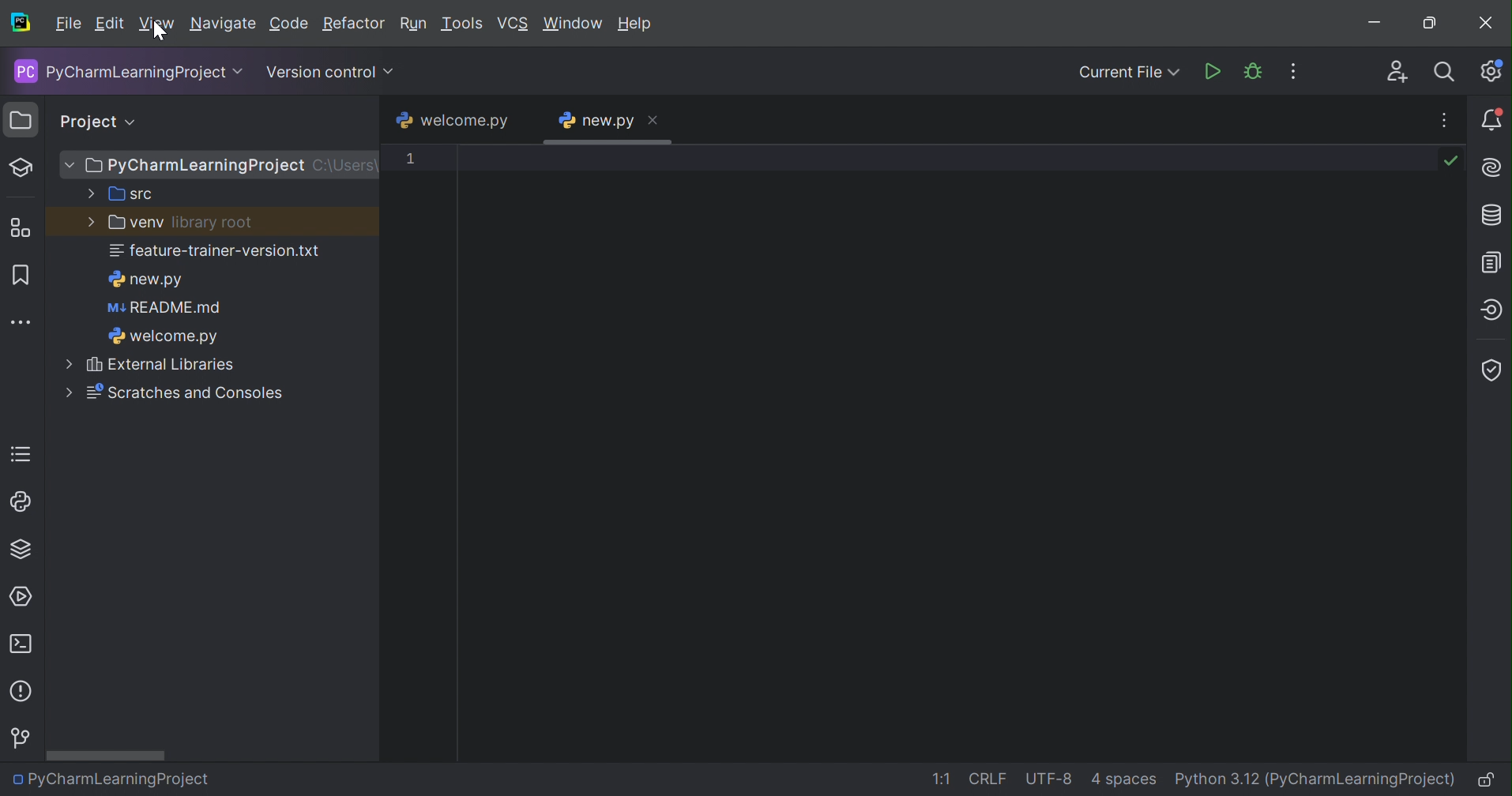 This screenshot has width=1512, height=796. I want to click on Learn, so click(22, 166).